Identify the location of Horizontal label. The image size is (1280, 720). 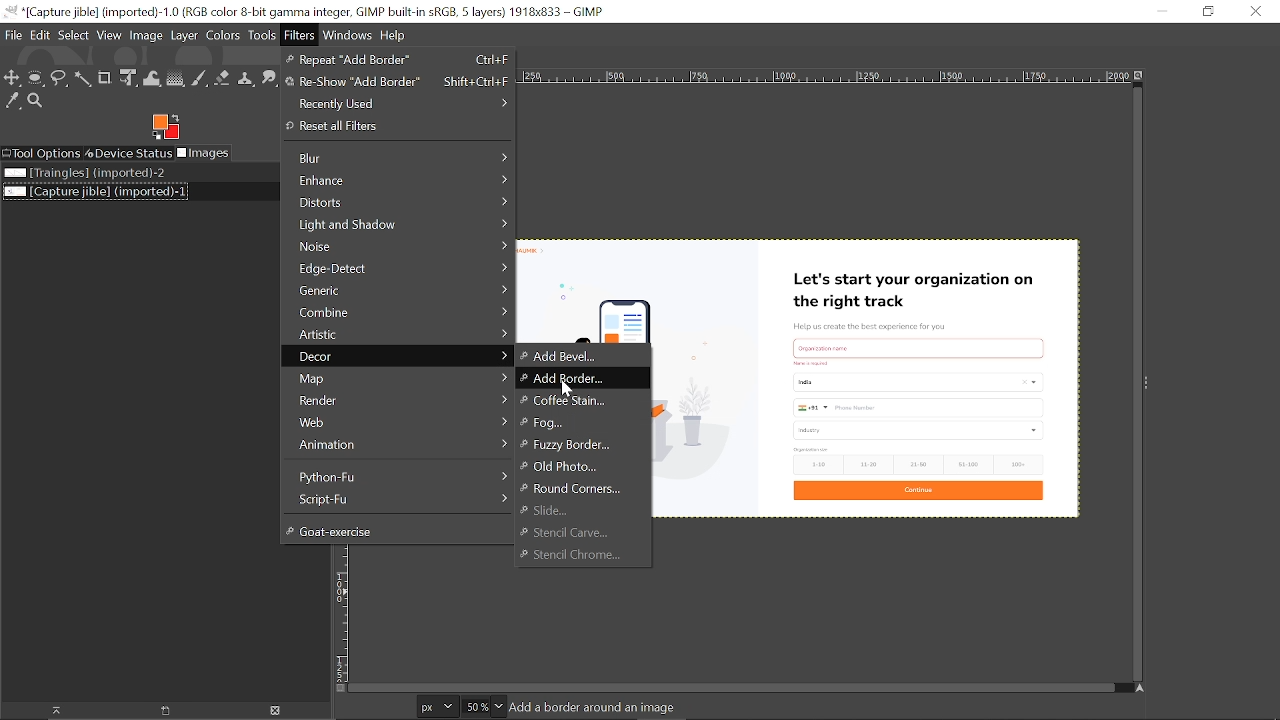
(827, 77).